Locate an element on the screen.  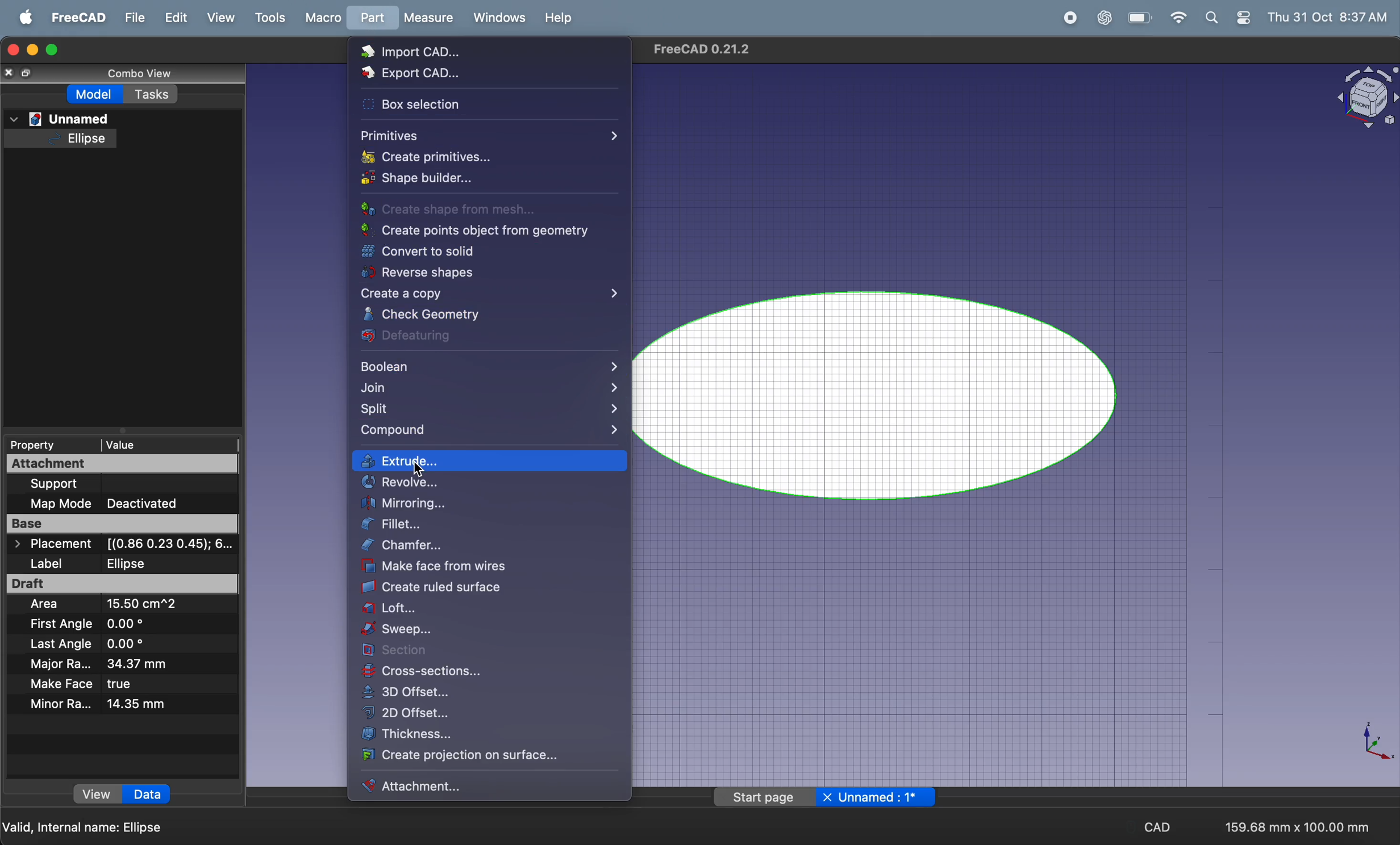
make face from wires is located at coordinates (457, 567).